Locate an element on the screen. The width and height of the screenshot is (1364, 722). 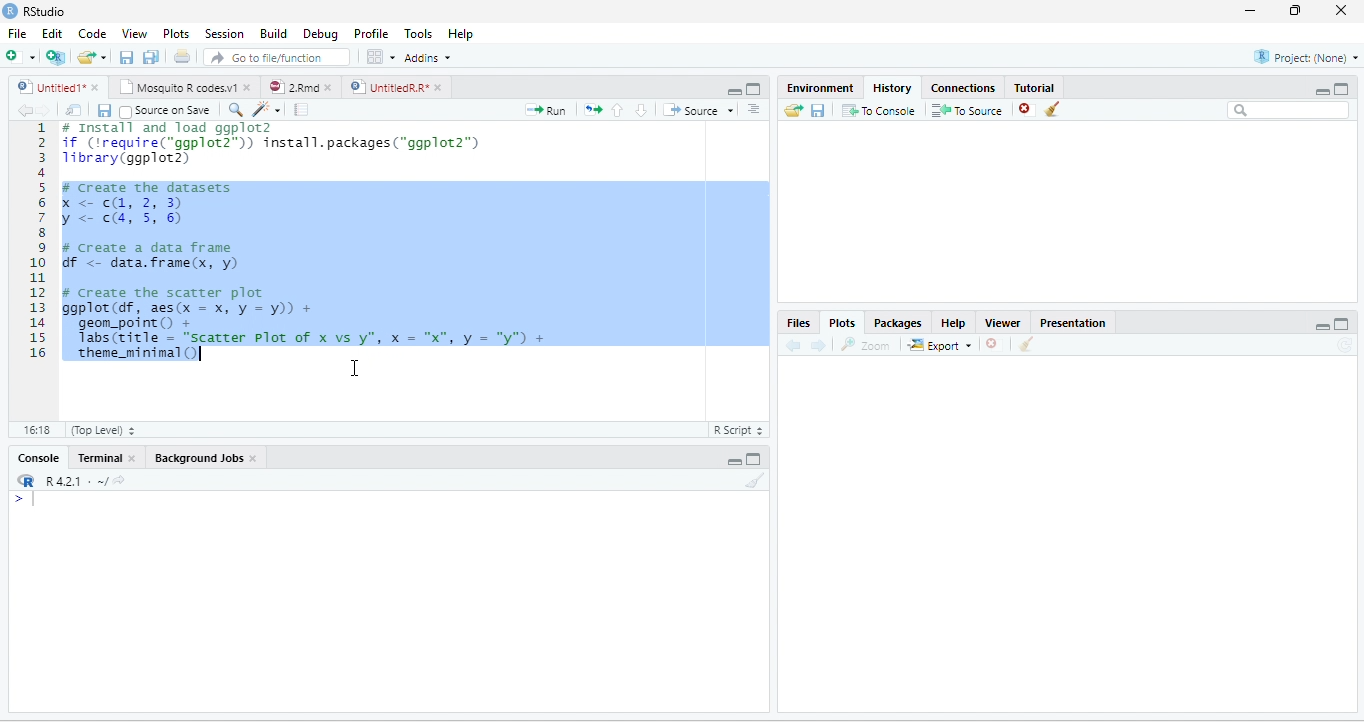
Minimize is located at coordinates (732, 90).